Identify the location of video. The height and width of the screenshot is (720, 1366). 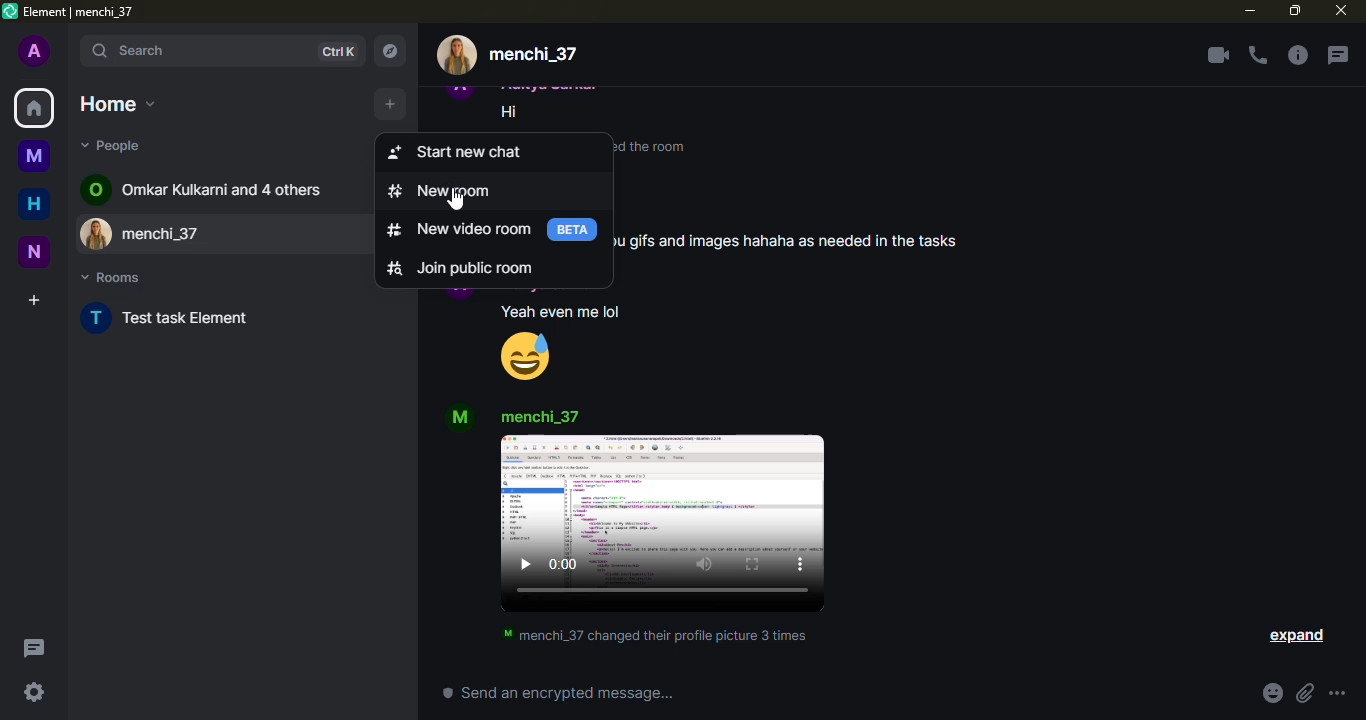
(662, 523).